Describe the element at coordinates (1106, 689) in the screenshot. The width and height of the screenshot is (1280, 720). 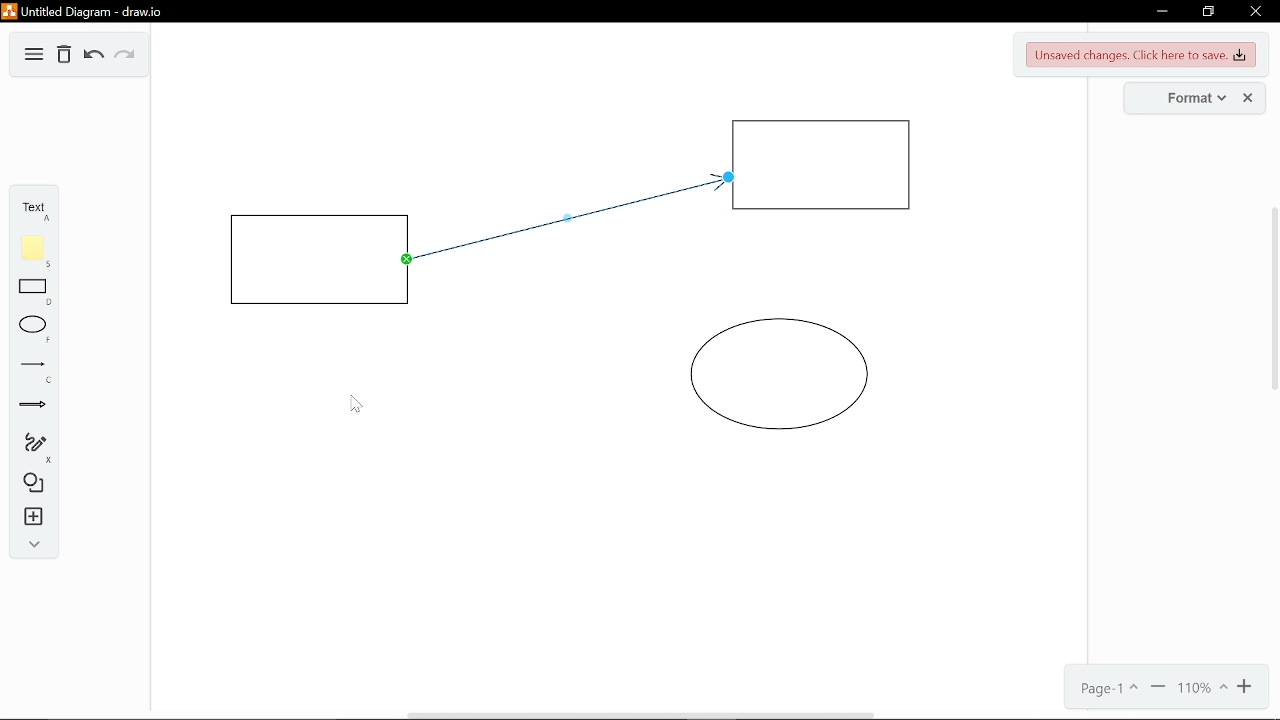
I see `Page 1` at that location.